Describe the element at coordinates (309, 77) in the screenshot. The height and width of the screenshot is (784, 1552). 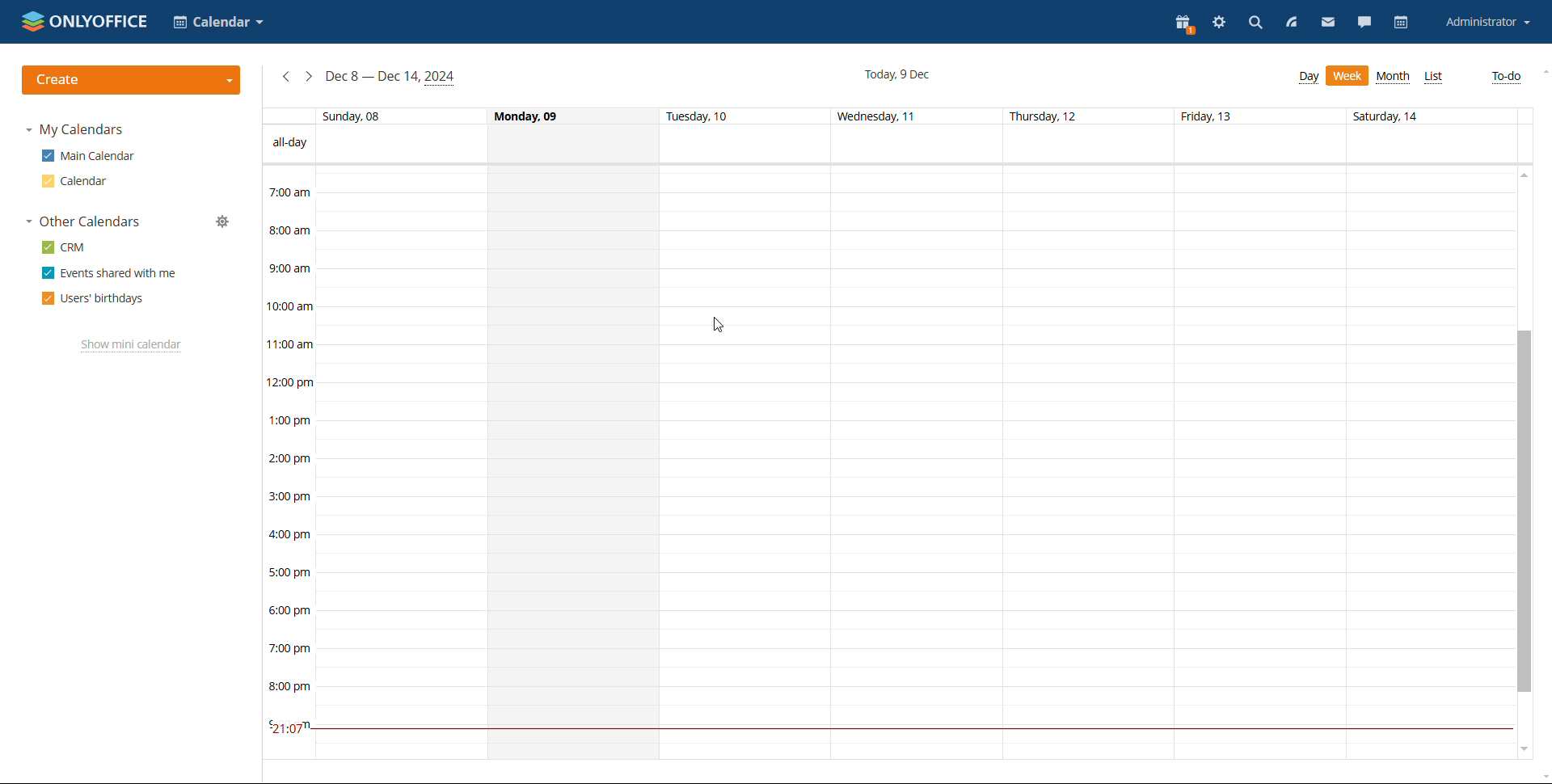
I see `next week` at that location.